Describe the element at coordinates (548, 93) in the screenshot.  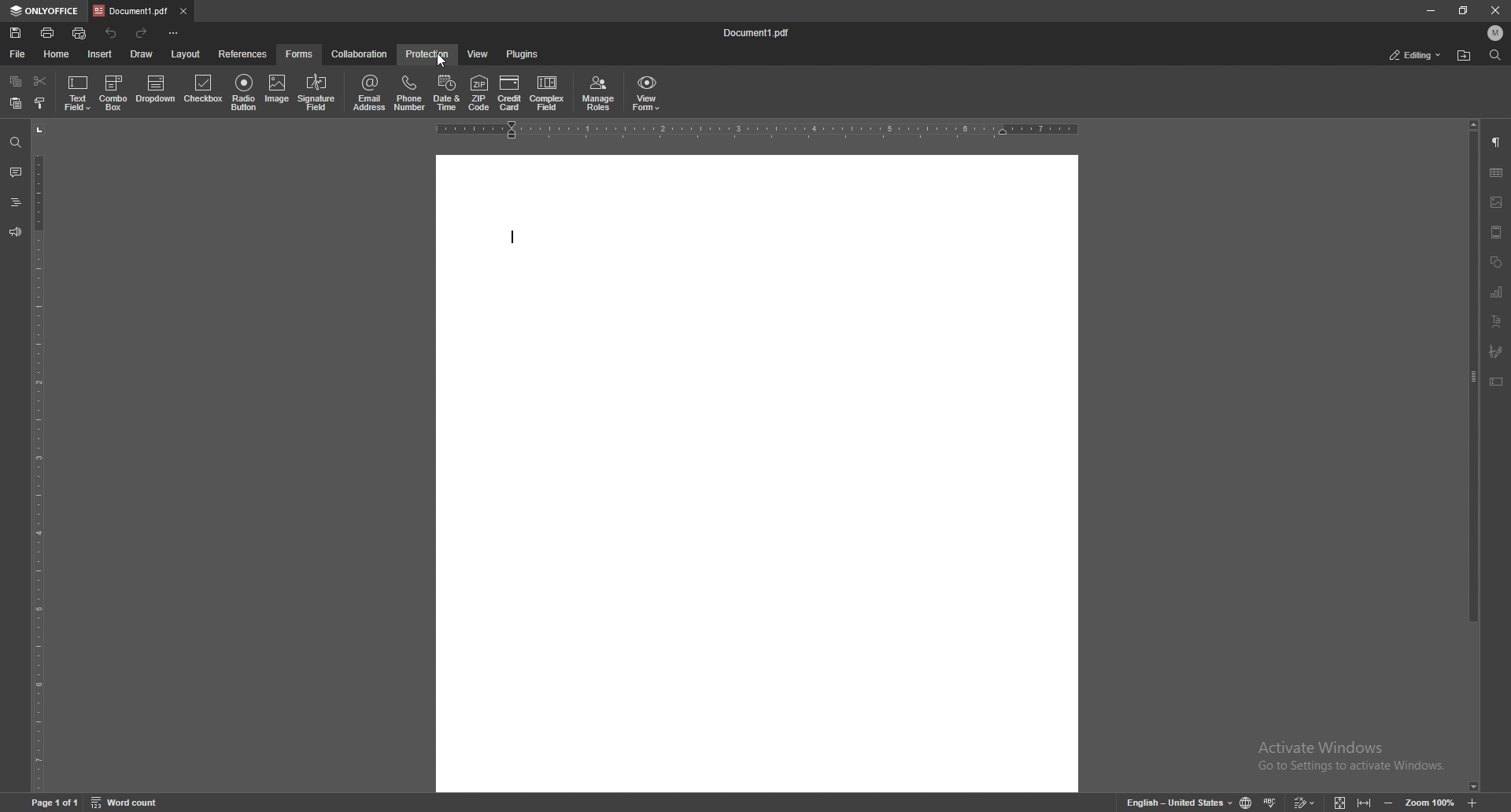
I see `complex field` at that location.